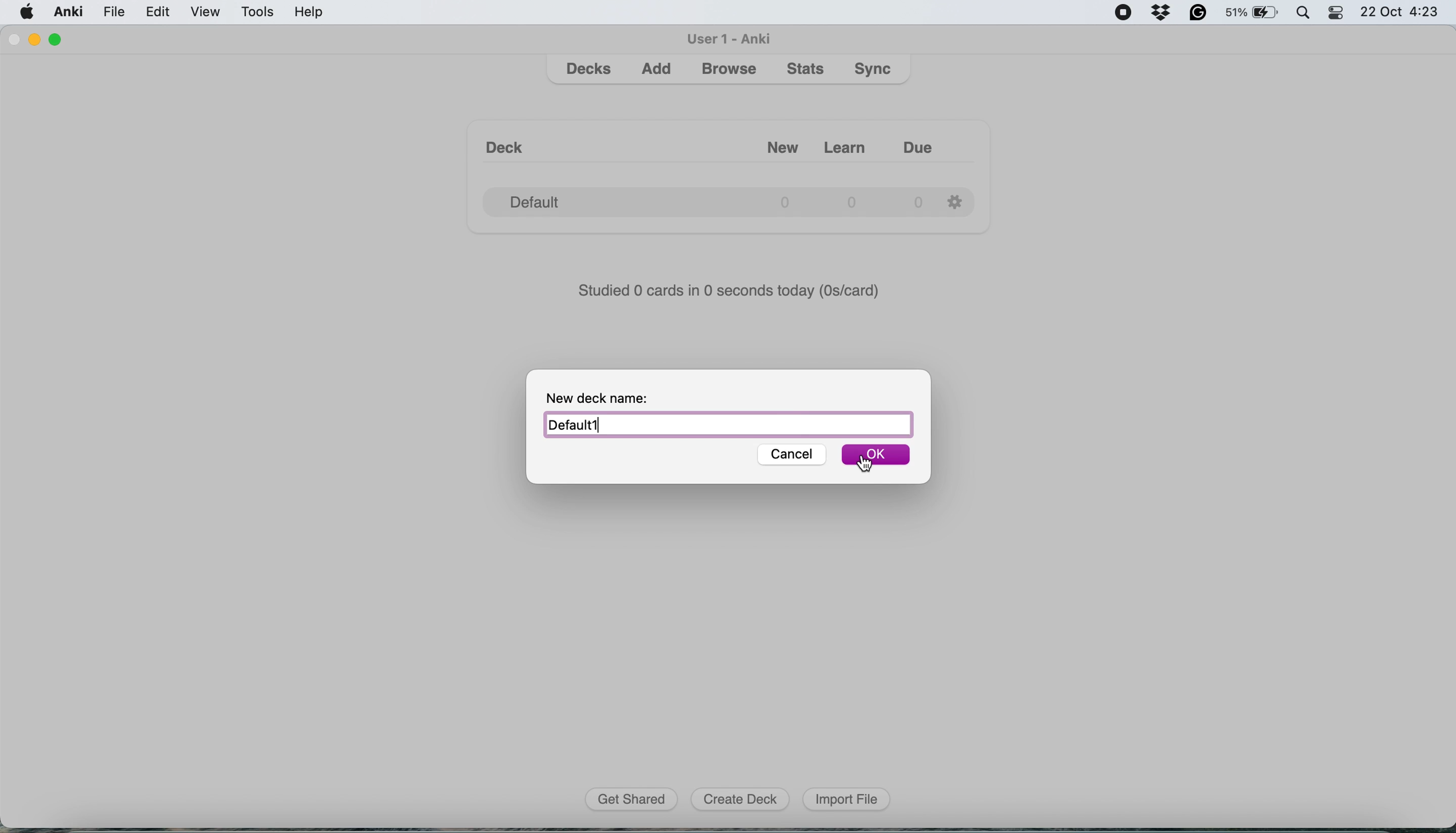  Describe the element at coordinates (730, 38) in the screenshot. I see `user 1 - Anki` at that location.